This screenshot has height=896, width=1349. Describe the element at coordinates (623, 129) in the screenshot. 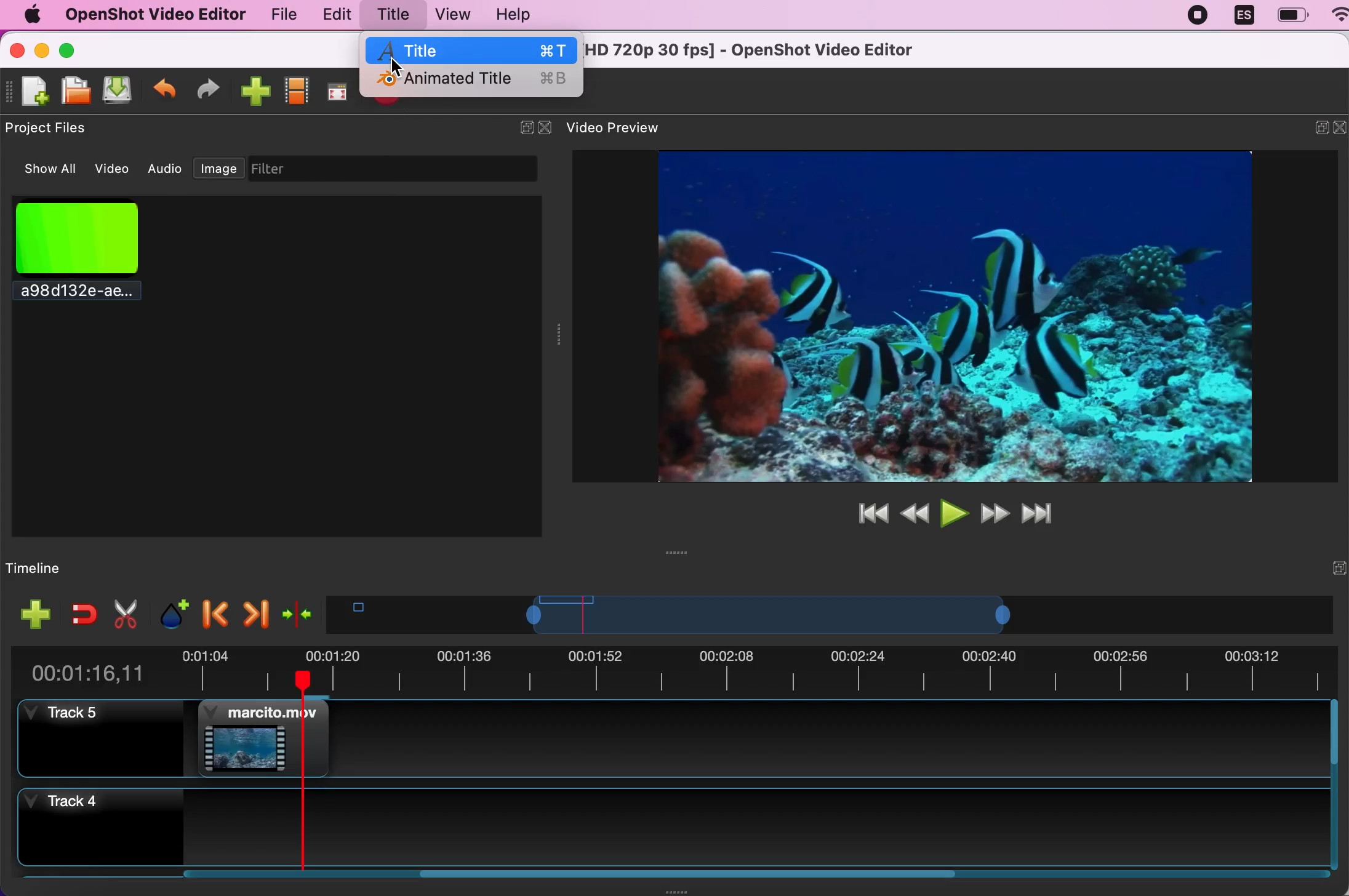

I see `video preview` at that location.